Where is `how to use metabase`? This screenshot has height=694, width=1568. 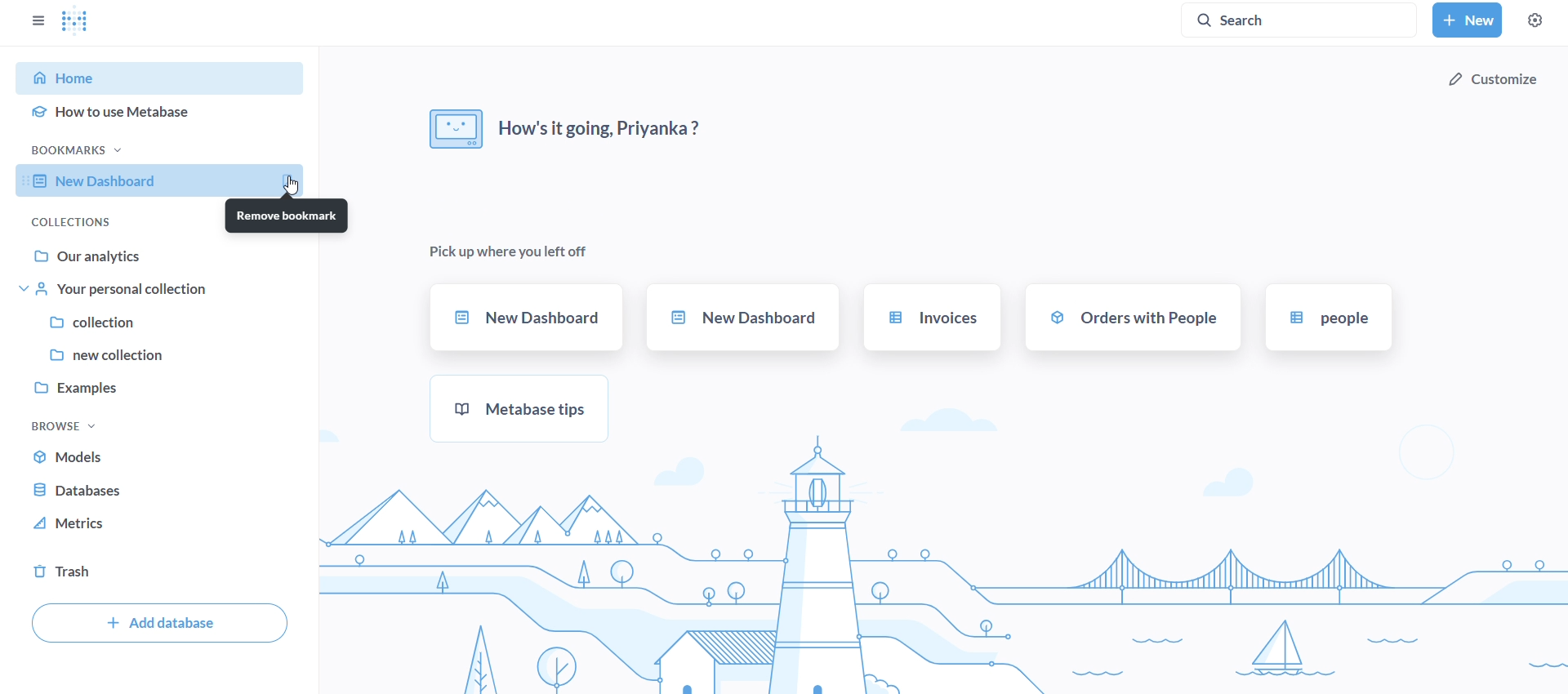
how to use metabase is located at coordinates (168, 109).